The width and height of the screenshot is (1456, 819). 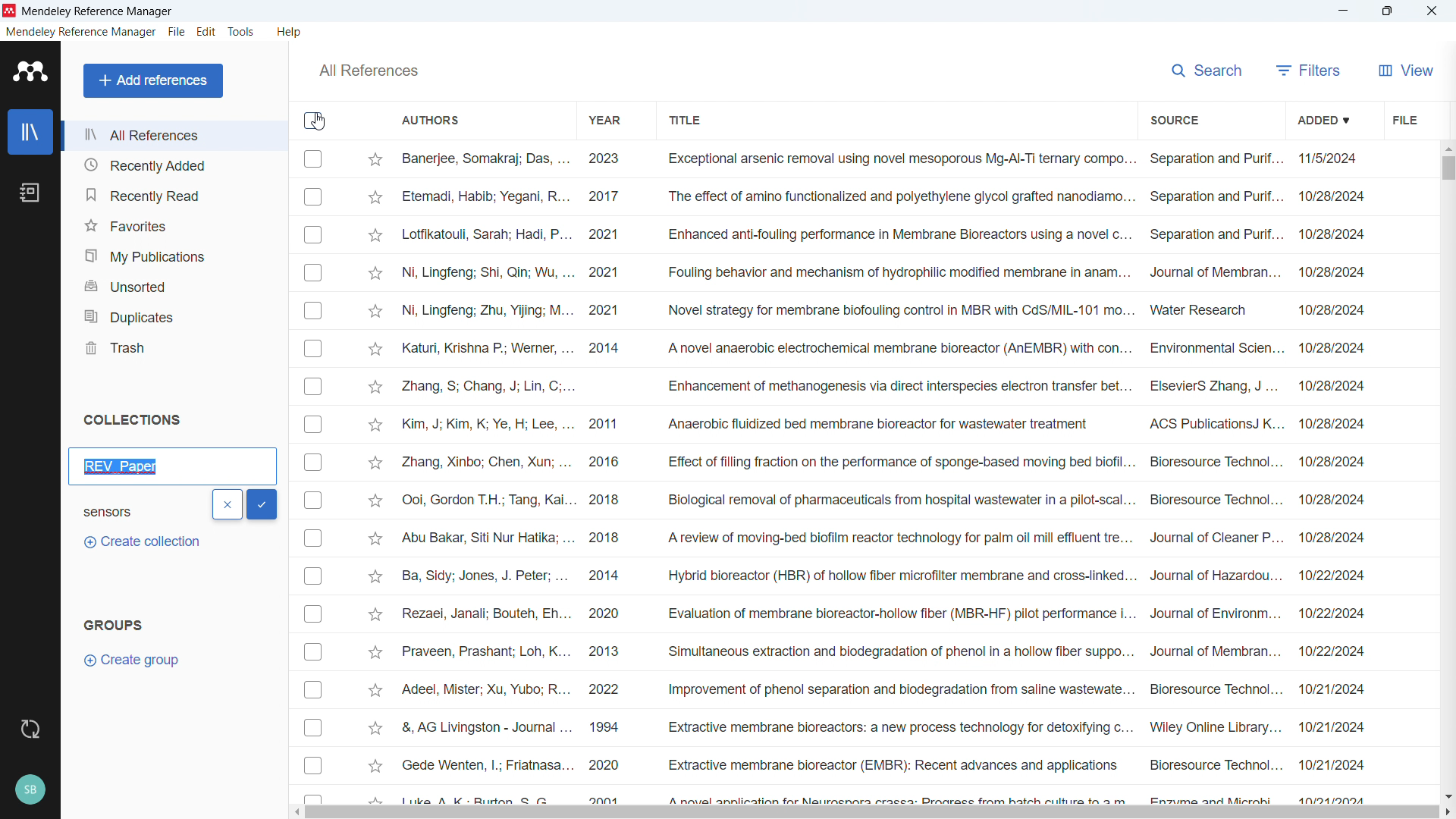 What do you see at coordinates (884, 196) in the screenshot?
I see `Etemadi, Habib; Yegani, R... 2017 The effect of amino functionalized and polyethylene glycol grafted nanodiamo... Separation and Purif... 10/28/2024` at bounding box center [884, 196].